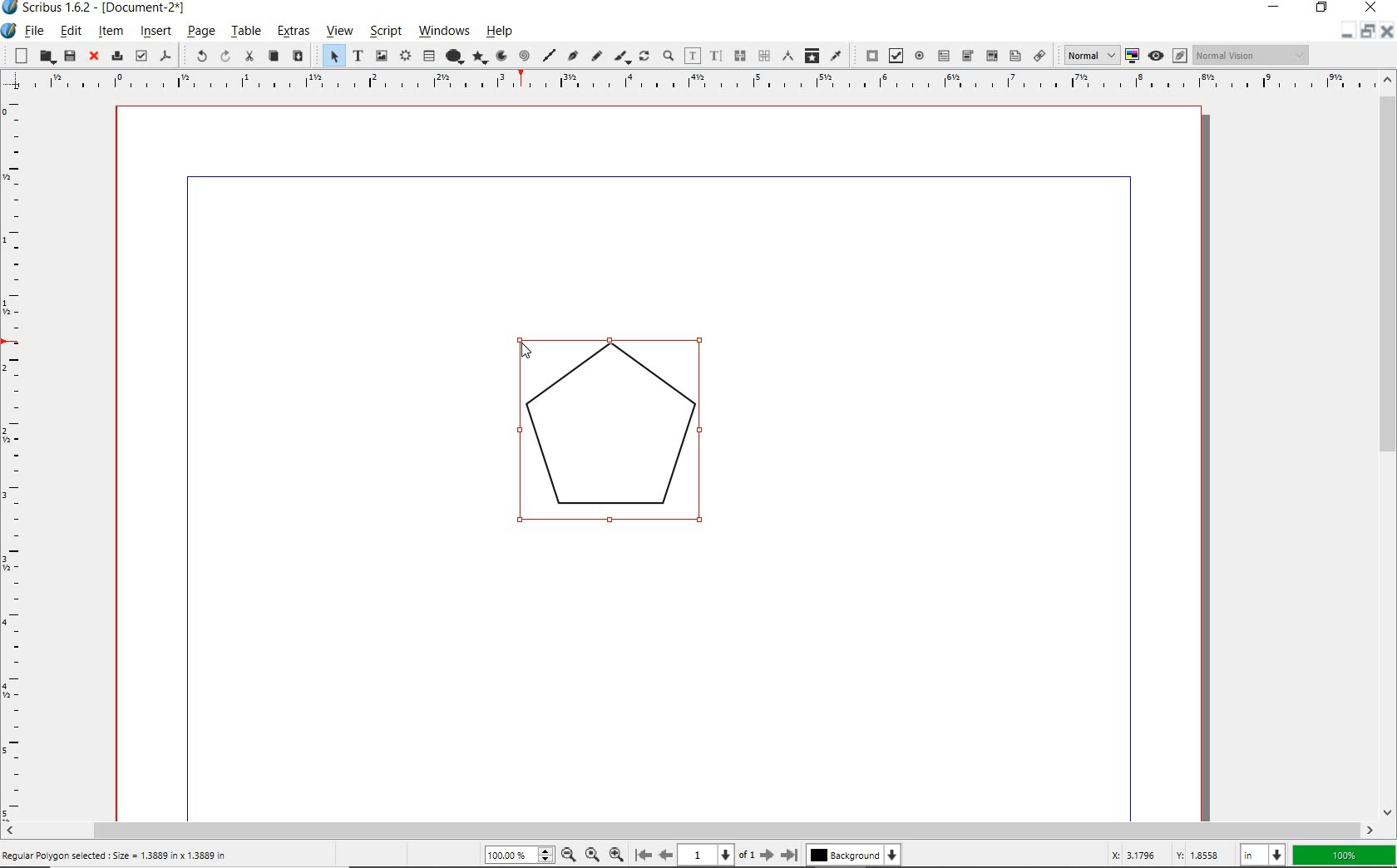  Describe the element at coordinates (93, 57) in the screenshot. I see `close` at that location.